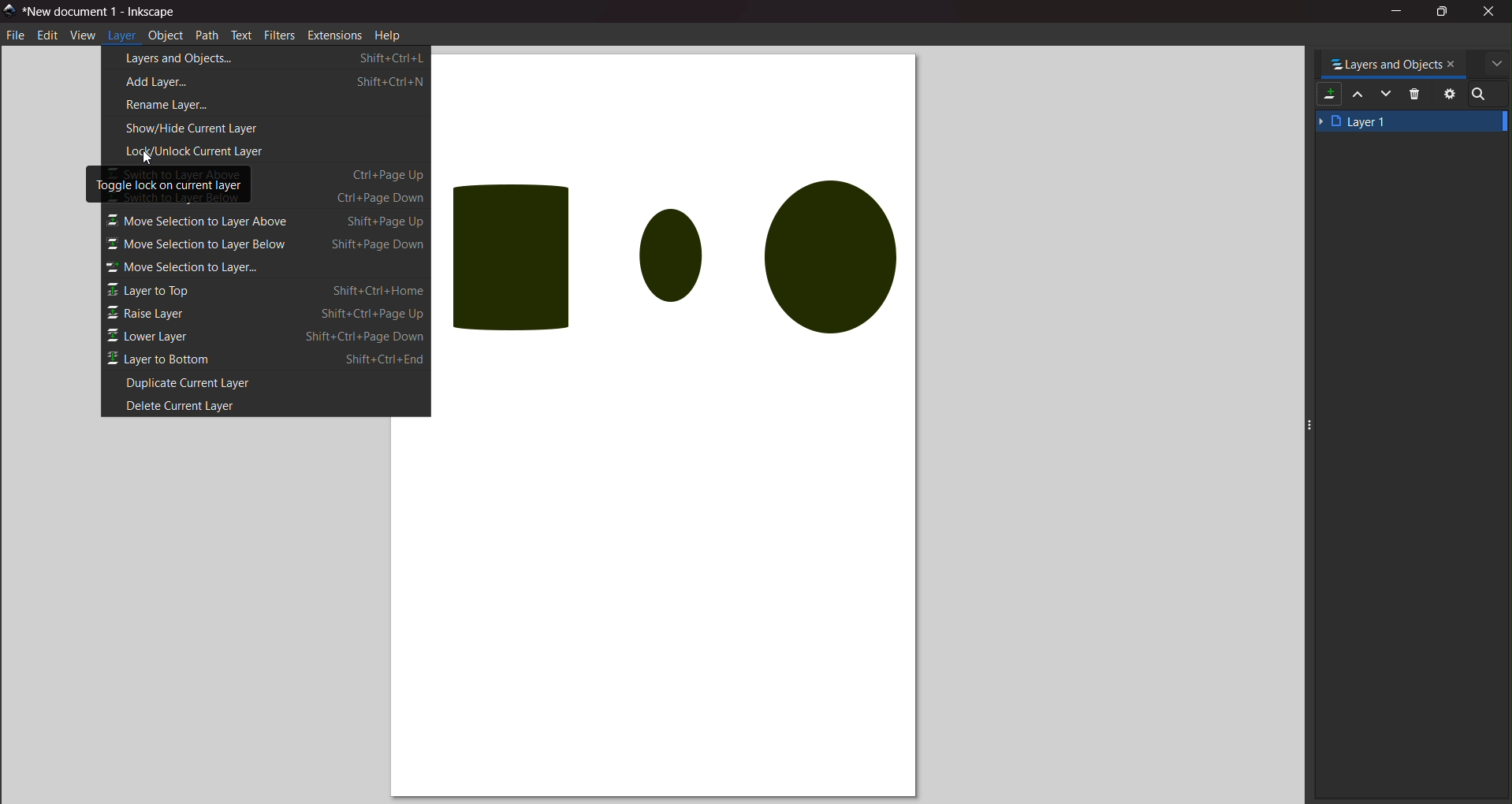  What do you see at coordinates (47, 35) in the screenshot?
I see `edit` at bounding box center [47, 35].